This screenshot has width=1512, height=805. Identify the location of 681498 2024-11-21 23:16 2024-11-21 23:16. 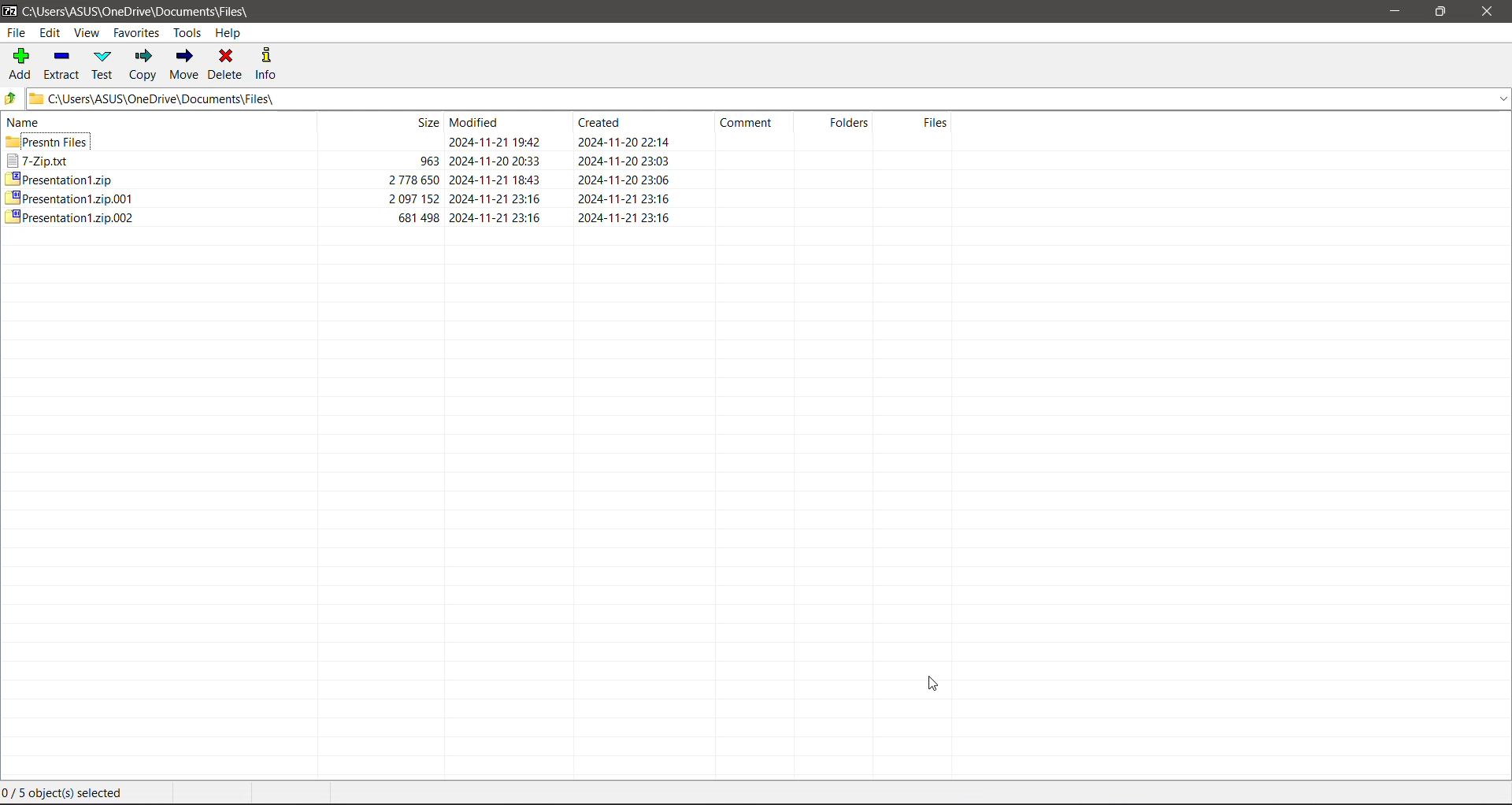
(541, 221).